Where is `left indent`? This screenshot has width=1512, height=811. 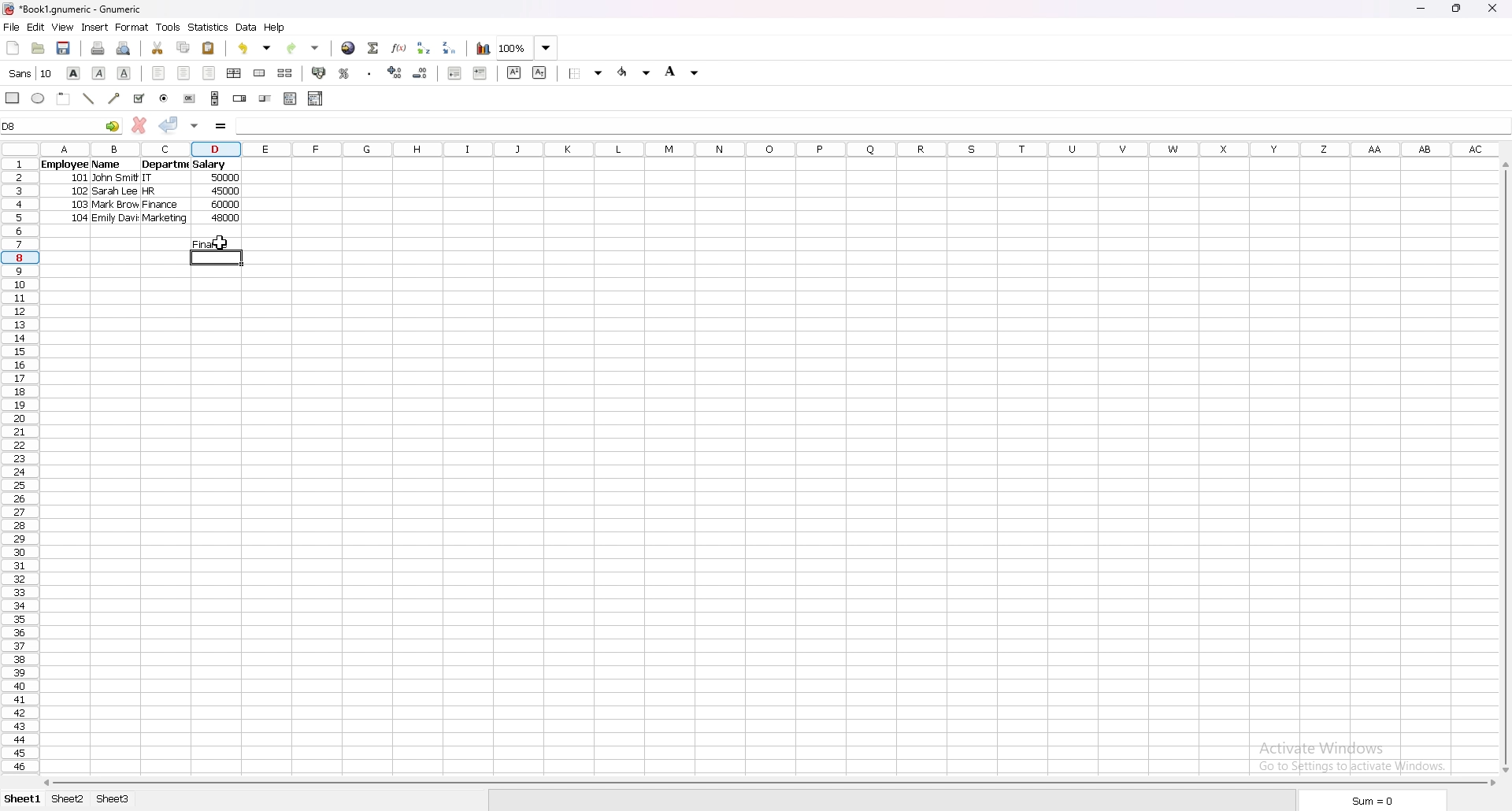
left indent is located at coordinates (160, 73).